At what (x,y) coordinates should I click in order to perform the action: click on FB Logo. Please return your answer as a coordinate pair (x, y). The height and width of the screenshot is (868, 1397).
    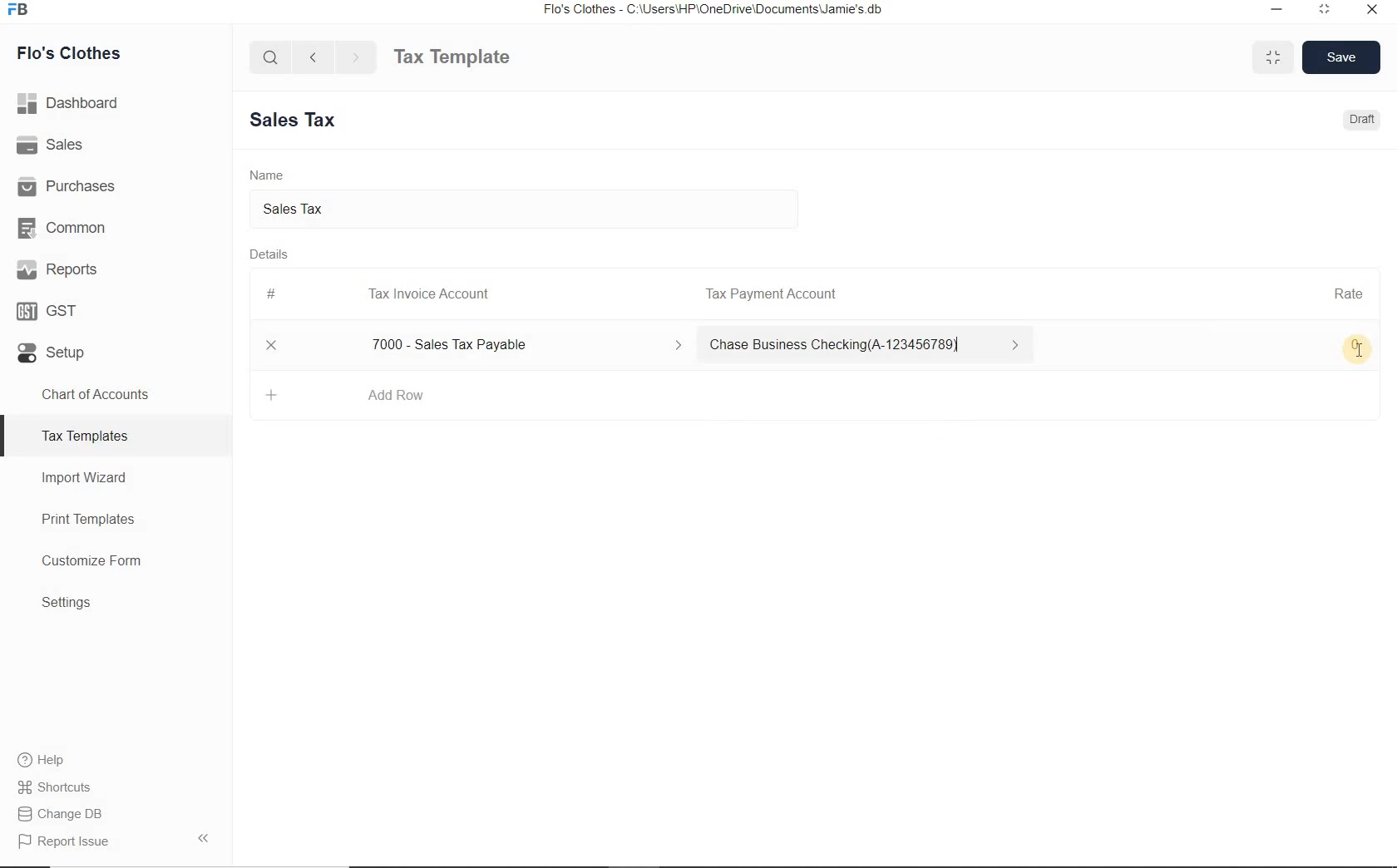
    Looking at the image, I should click on (17, 10).